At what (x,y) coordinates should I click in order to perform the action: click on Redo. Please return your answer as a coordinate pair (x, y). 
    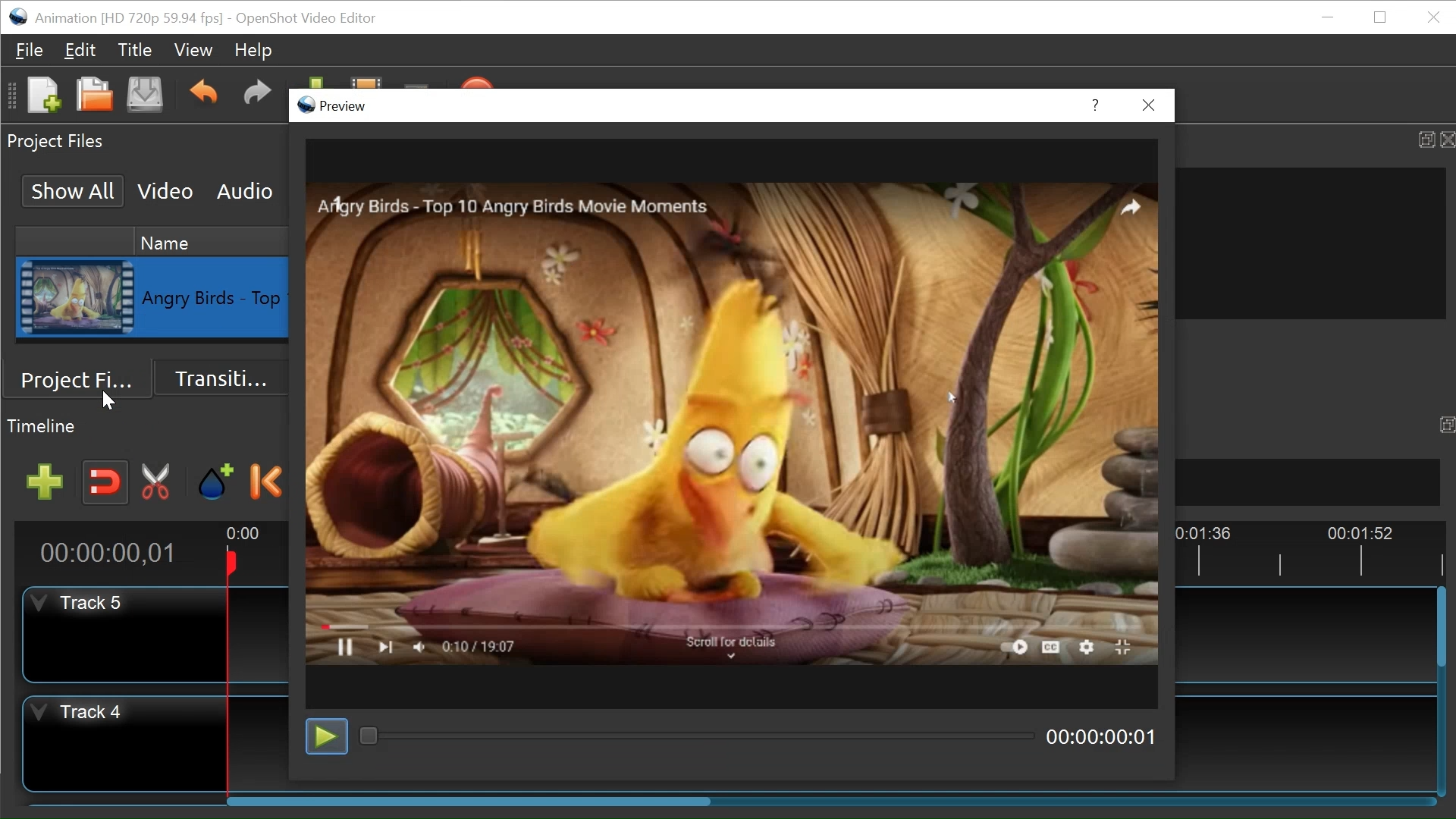
    Looking at the image, I should click on (253, 93).